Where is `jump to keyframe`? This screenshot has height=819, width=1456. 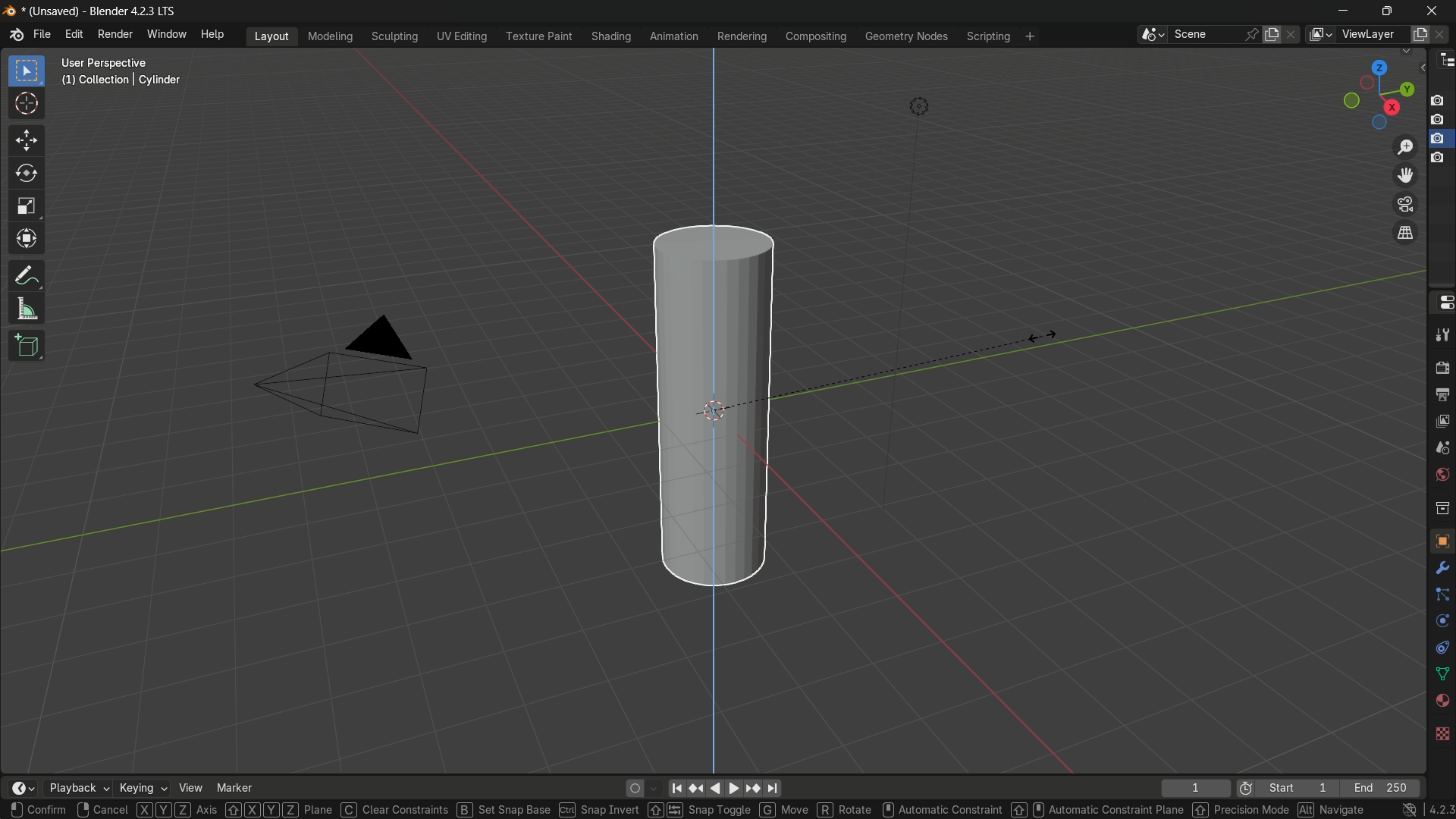 jump to keyframe is located at coordinates (753, 789).